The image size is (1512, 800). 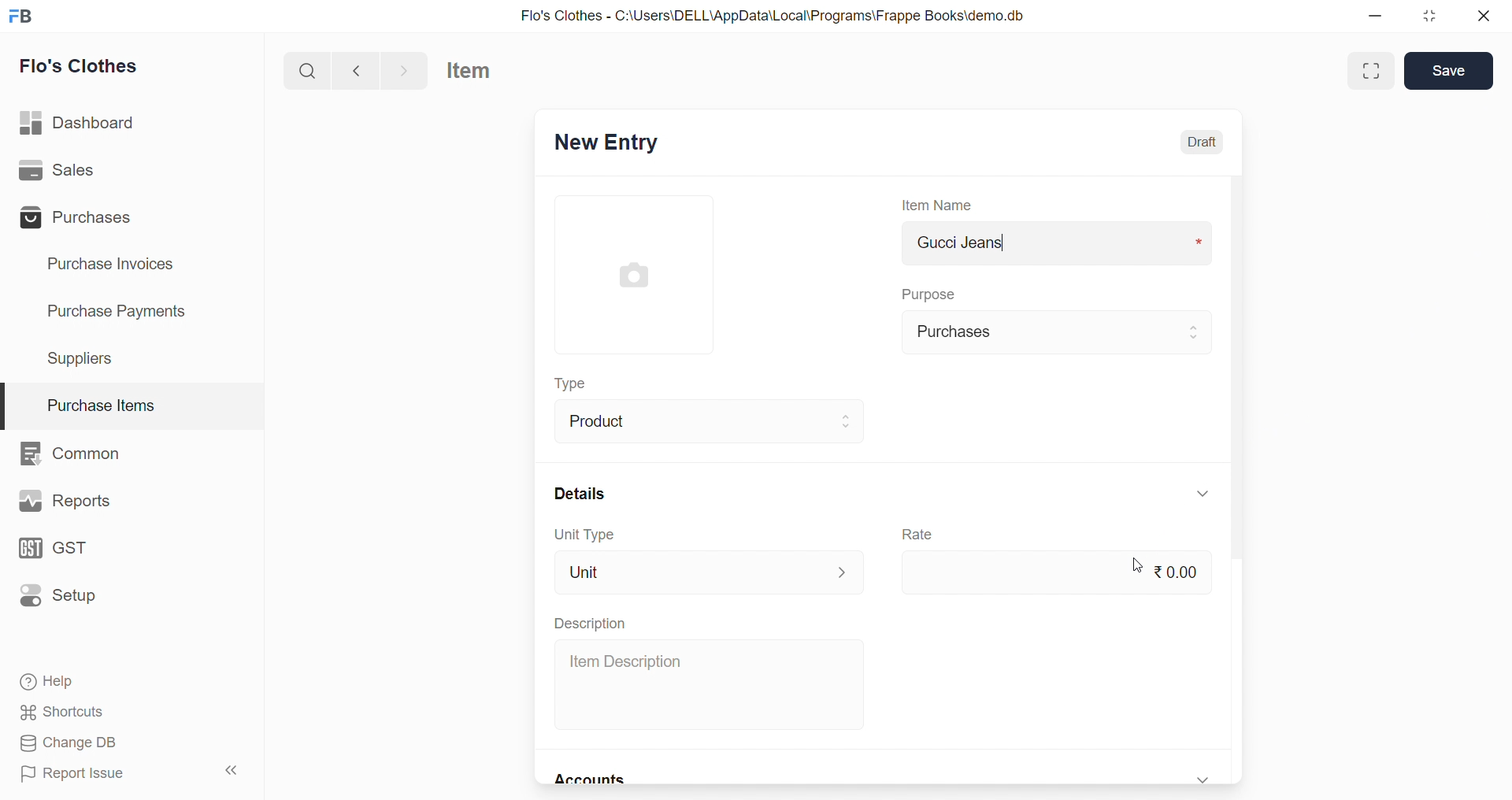 What do you see at coordinates (920, 535) in the screenshot?
I see `Rate` at bounding box center [920, 535].